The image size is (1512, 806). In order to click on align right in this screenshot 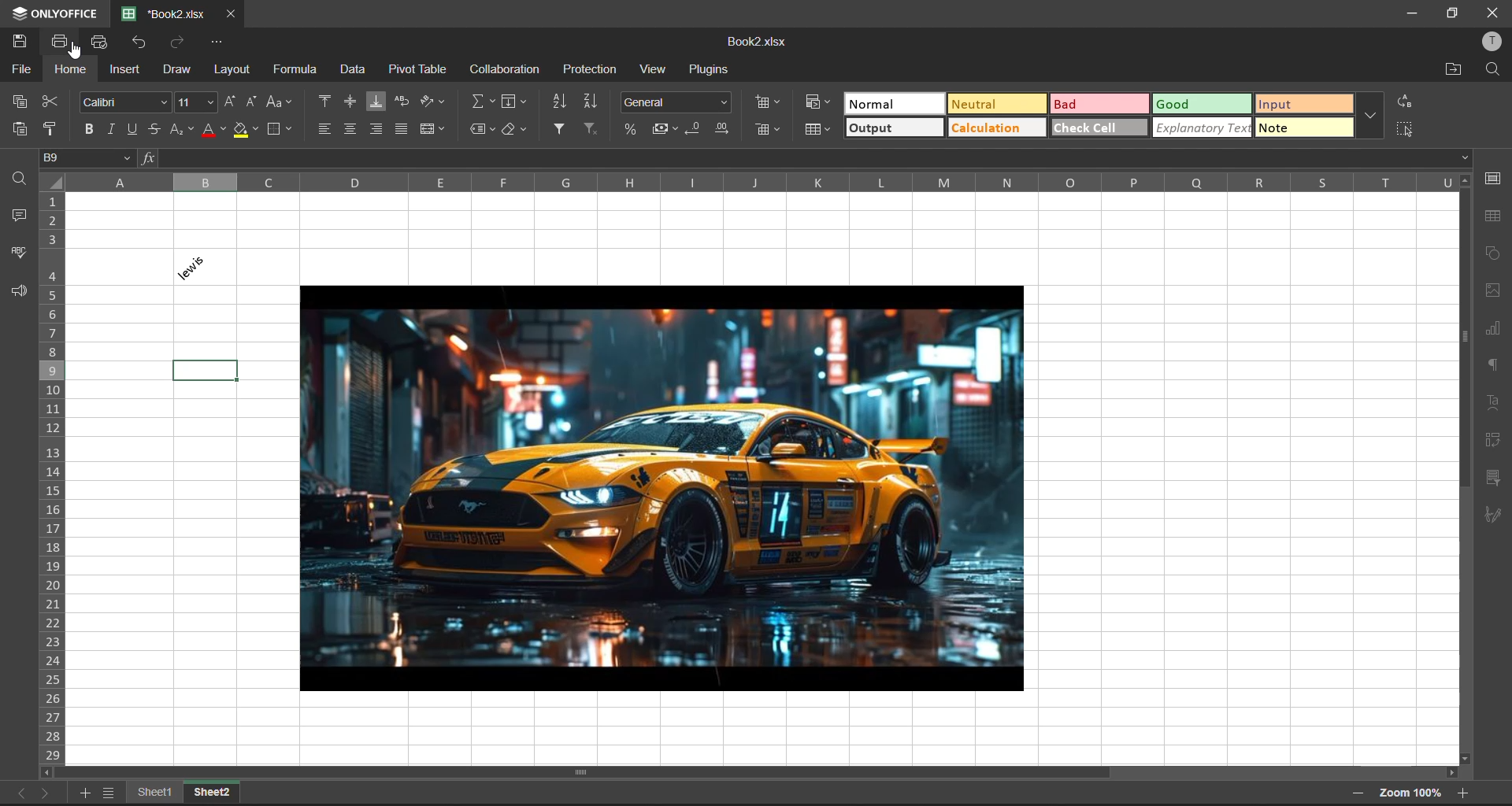, I will do `click(377, 130)`.